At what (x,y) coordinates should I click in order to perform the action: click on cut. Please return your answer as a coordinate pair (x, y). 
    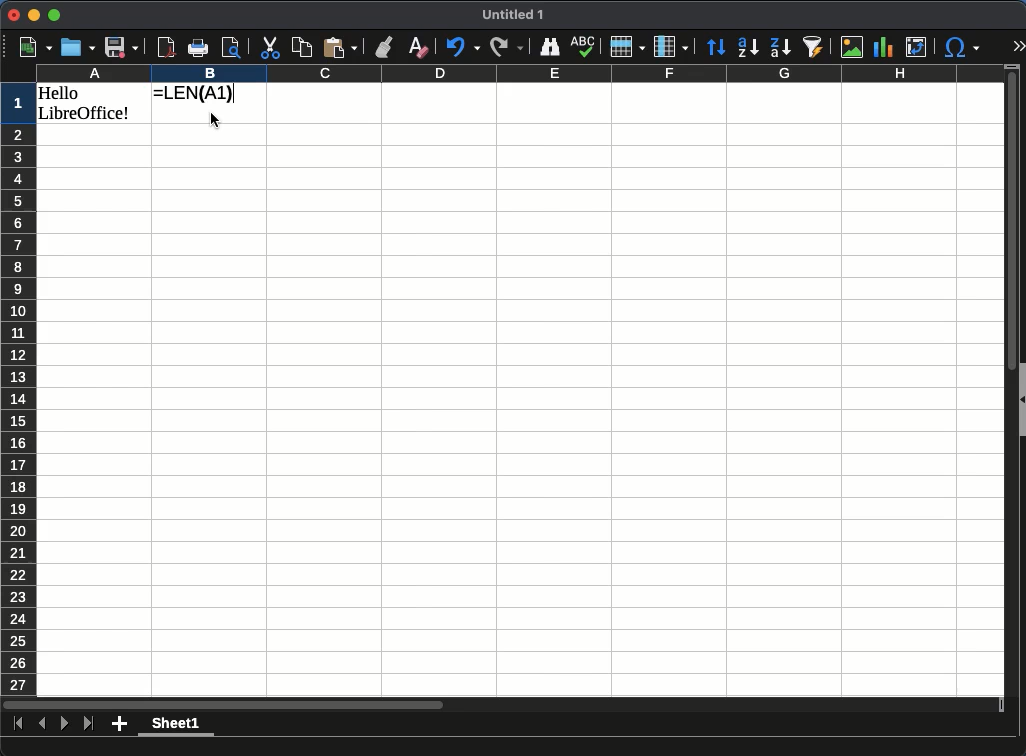
    Looking at the image, I should click on (268, 47).